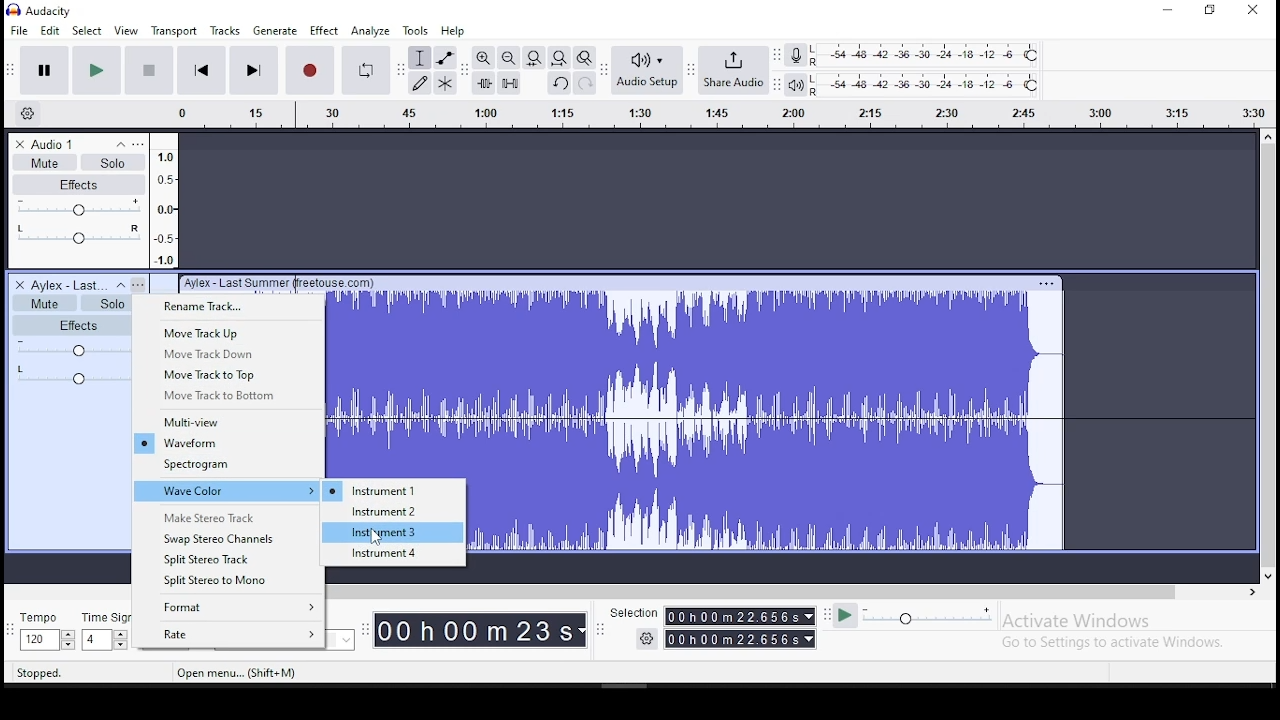  I want to click on draw tool, so click(420, 83).